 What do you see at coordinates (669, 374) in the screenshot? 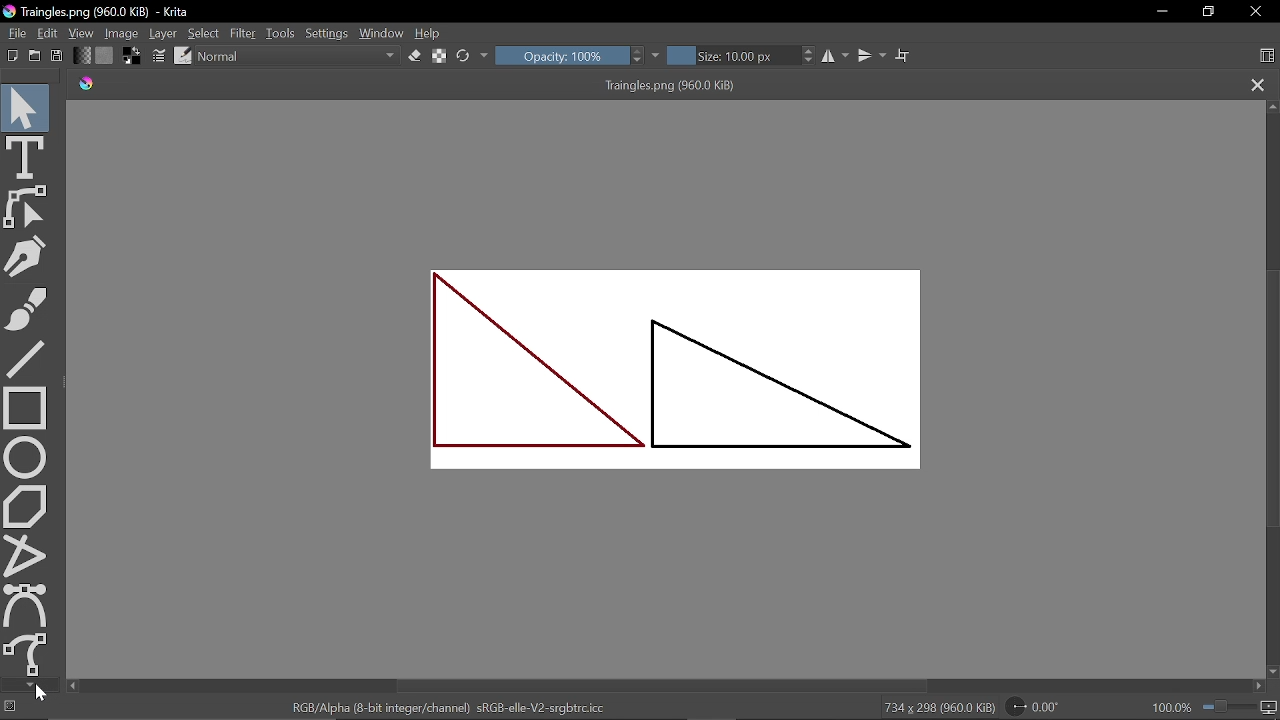
I see `Two triangles` at bounding box center [669, 374].